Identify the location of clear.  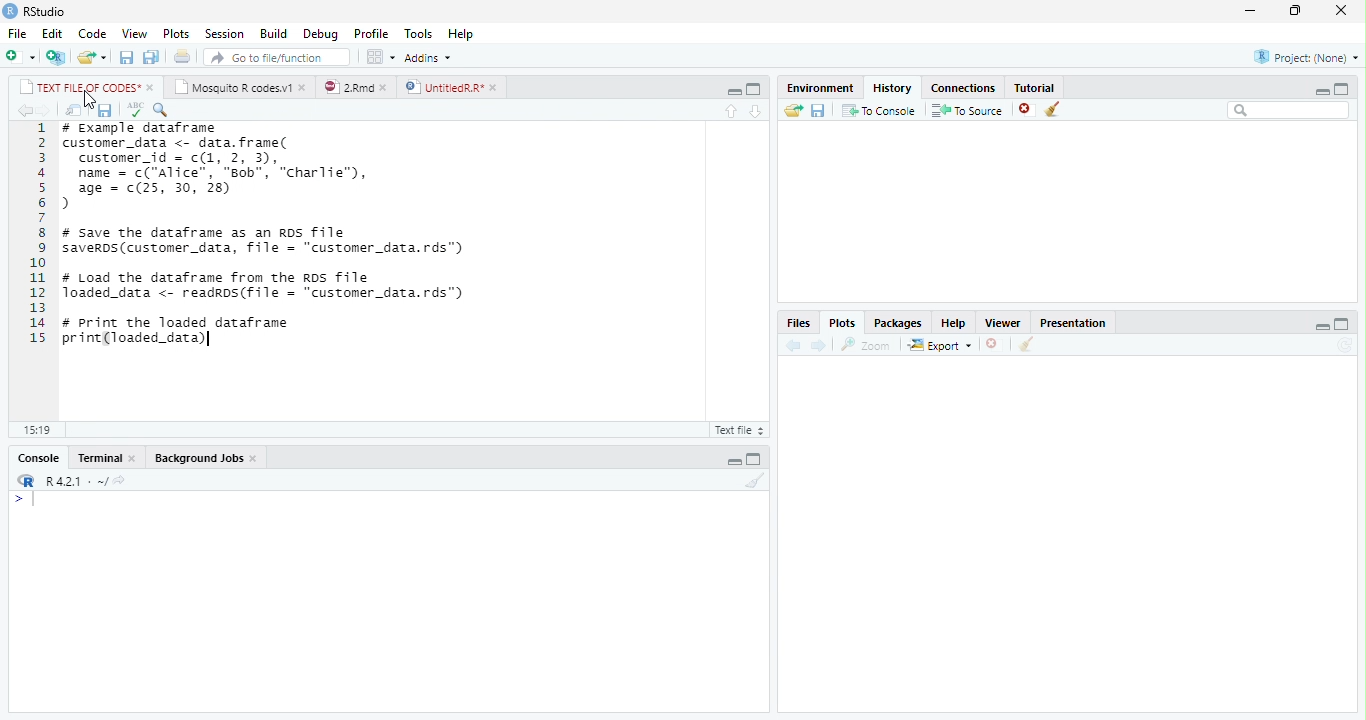
(756, 480).